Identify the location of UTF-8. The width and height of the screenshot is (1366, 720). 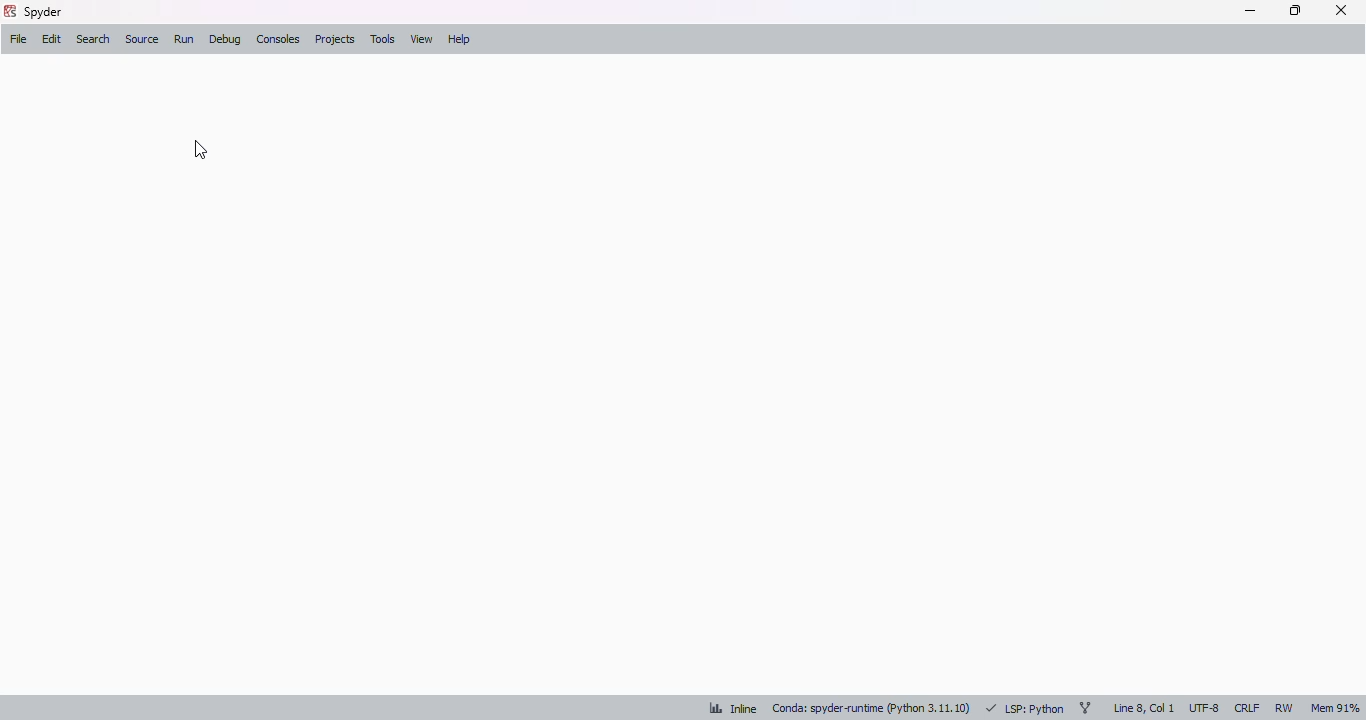
(1205, 708).